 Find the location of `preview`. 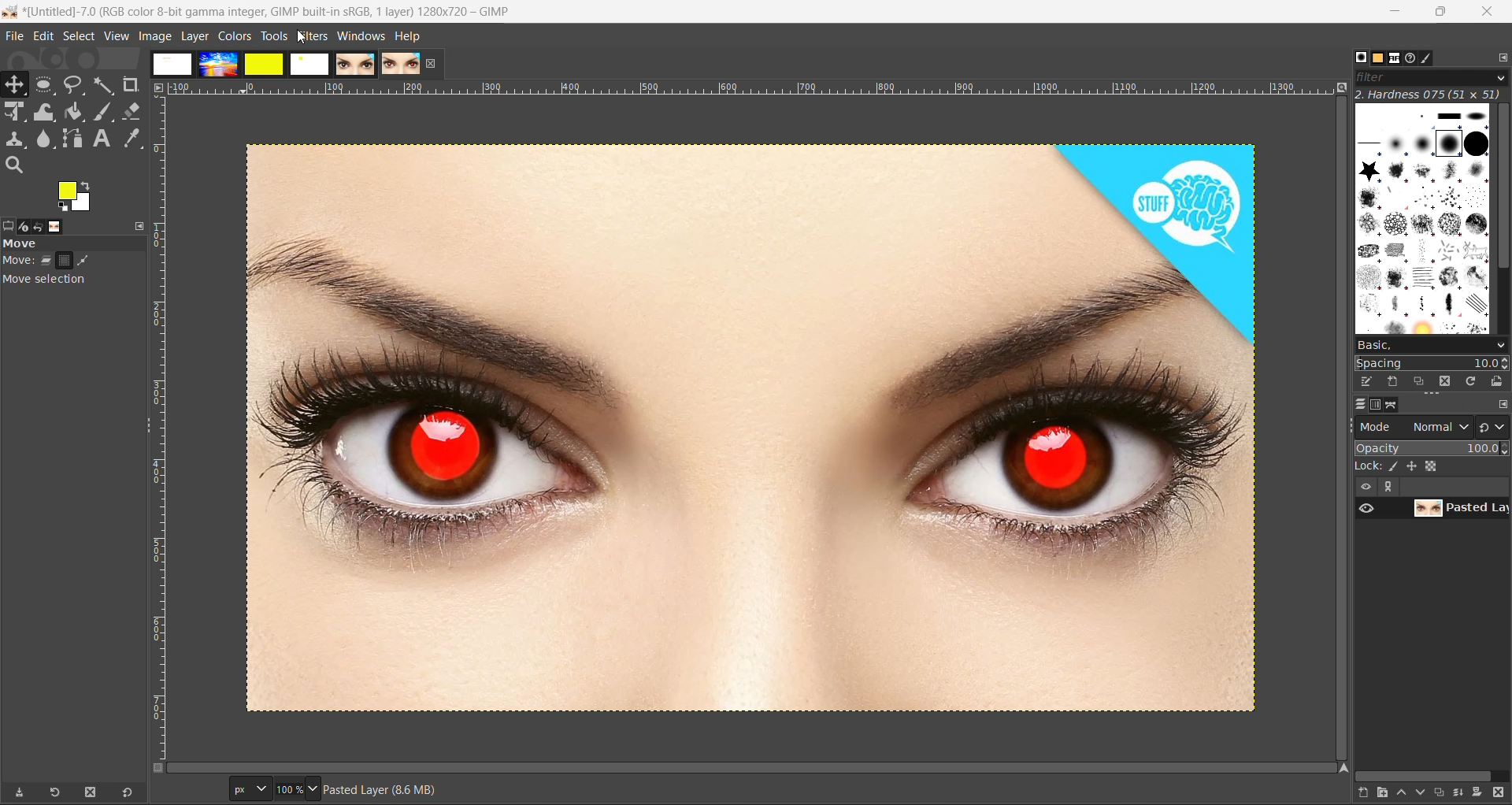

preview is located at coordinates (1366, 507).